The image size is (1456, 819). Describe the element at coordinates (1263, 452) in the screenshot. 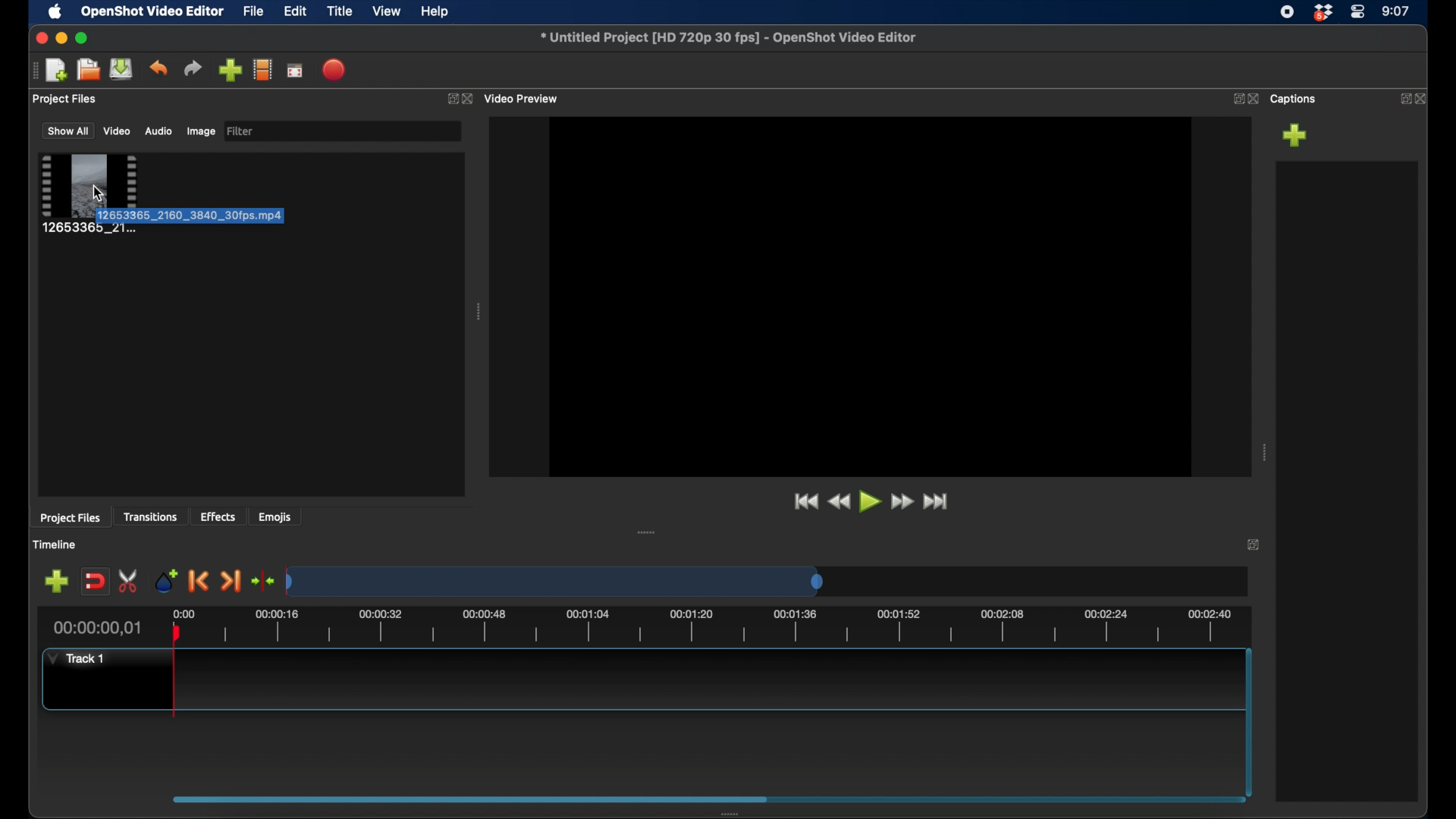

I see `drag handle` at that location.